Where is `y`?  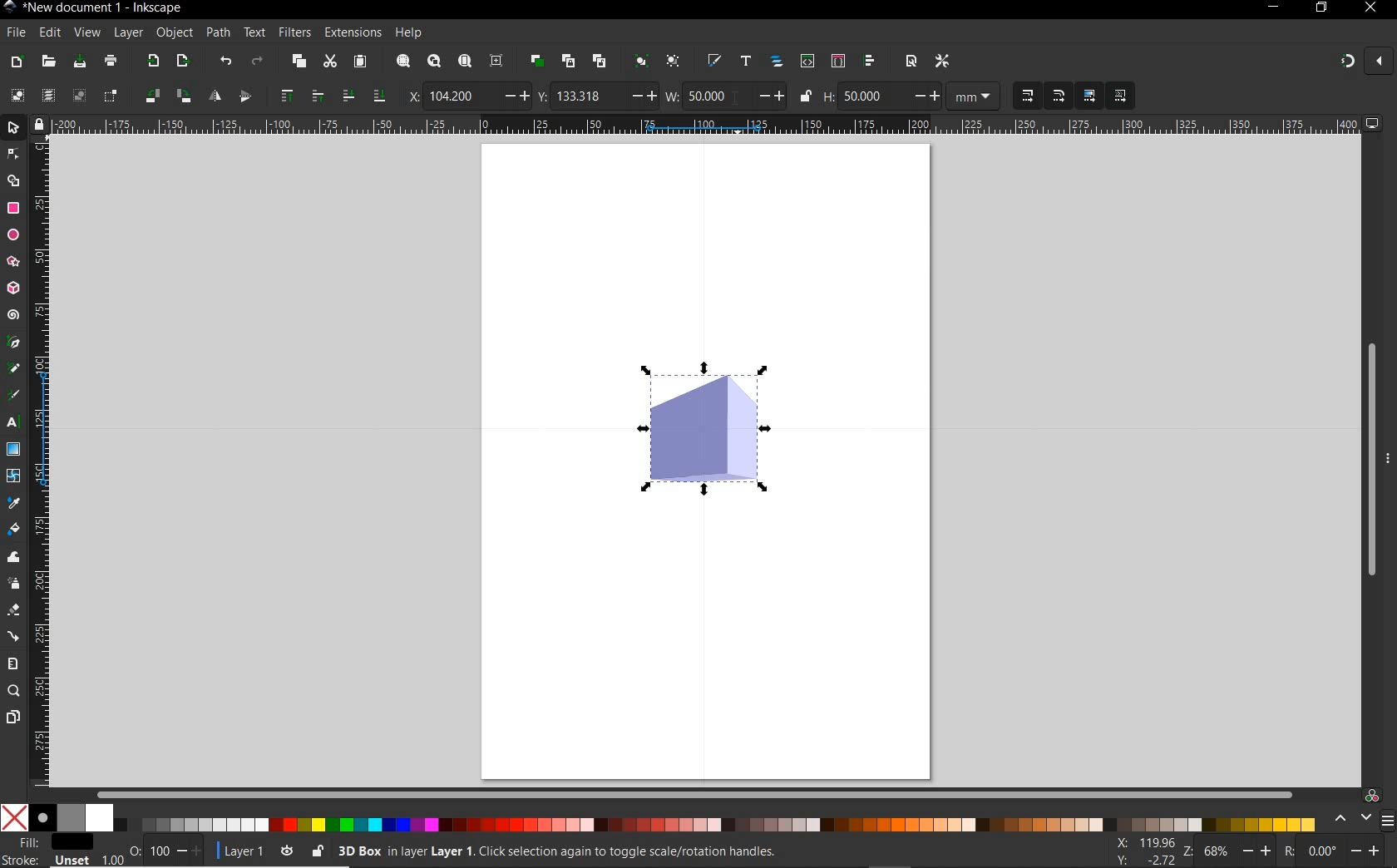 y is located at coordinates (543, 96).